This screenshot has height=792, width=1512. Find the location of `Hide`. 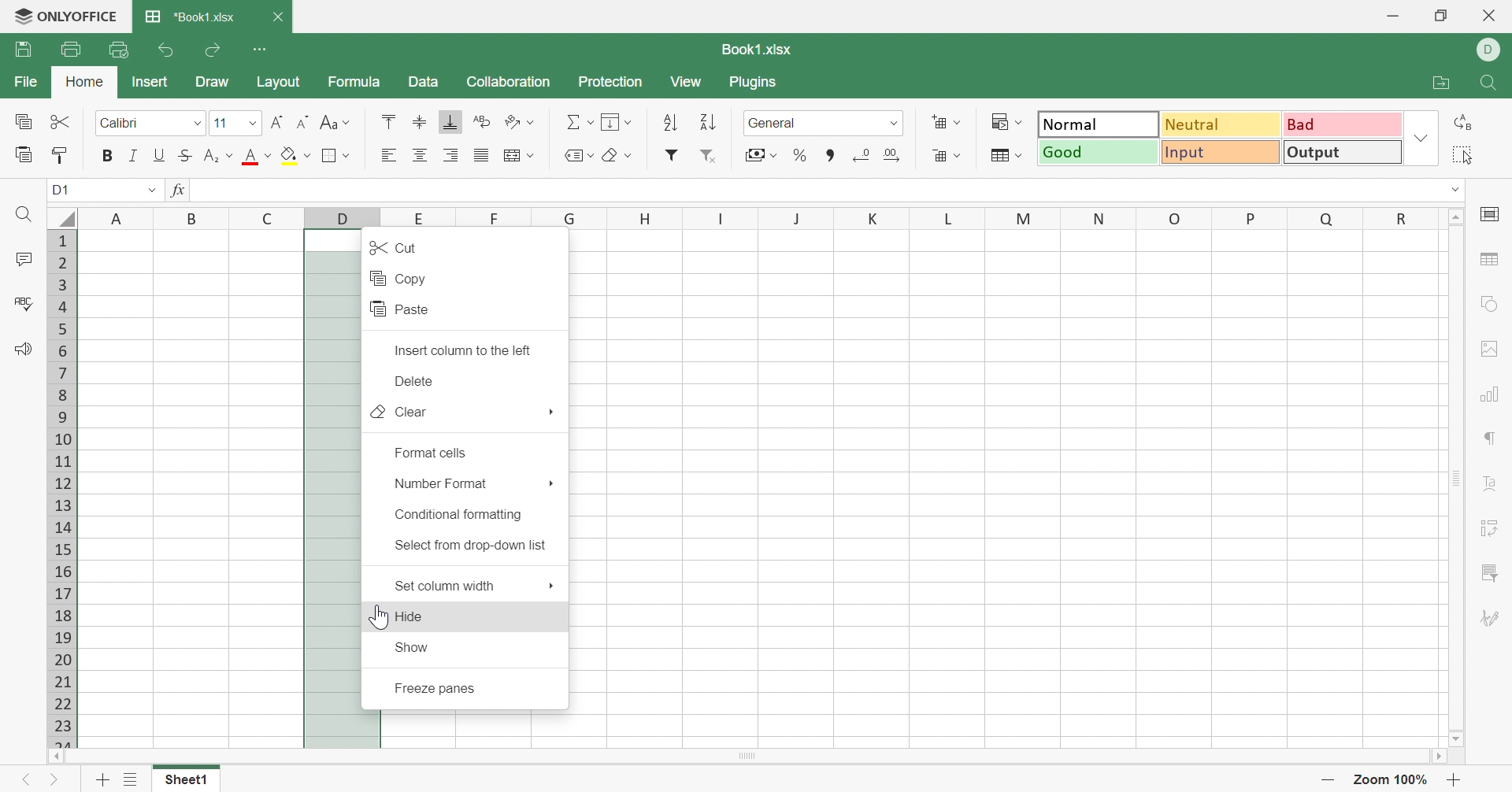

Hide is located at coordinates (413, 618).